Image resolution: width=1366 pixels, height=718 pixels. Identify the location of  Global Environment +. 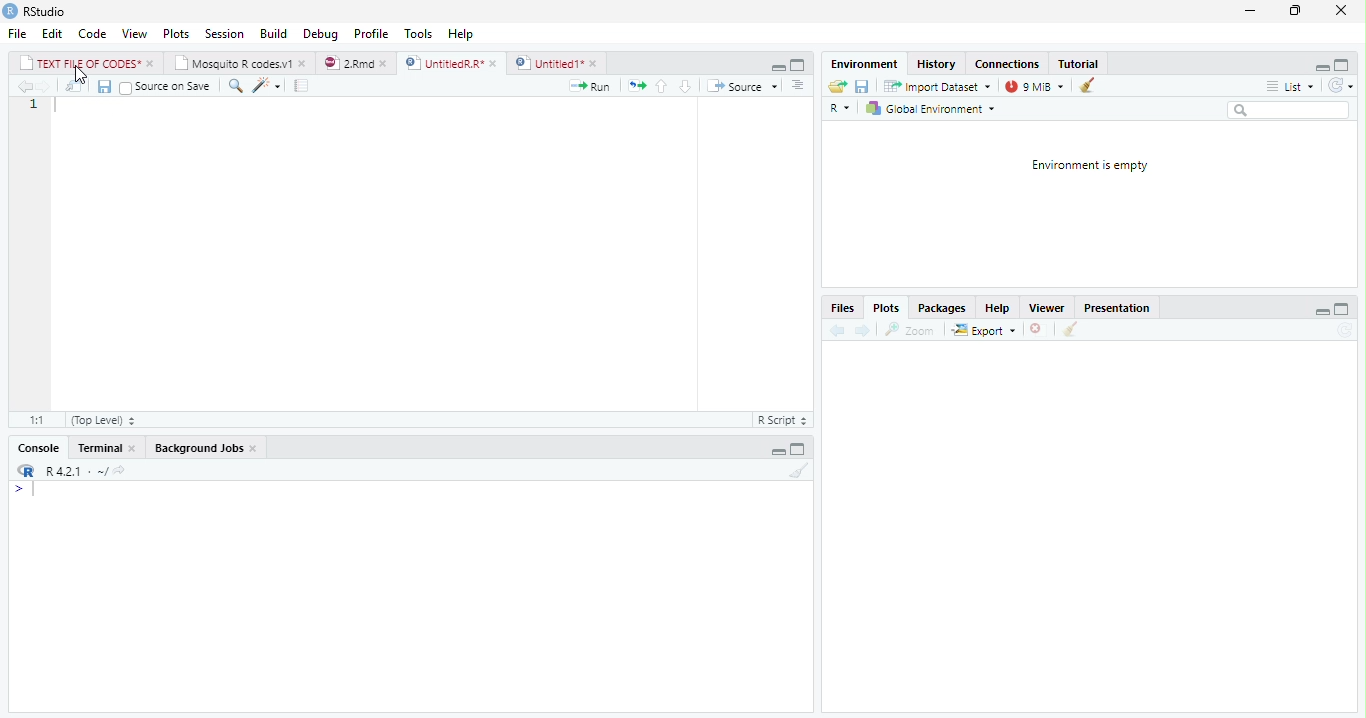
(937, 109).